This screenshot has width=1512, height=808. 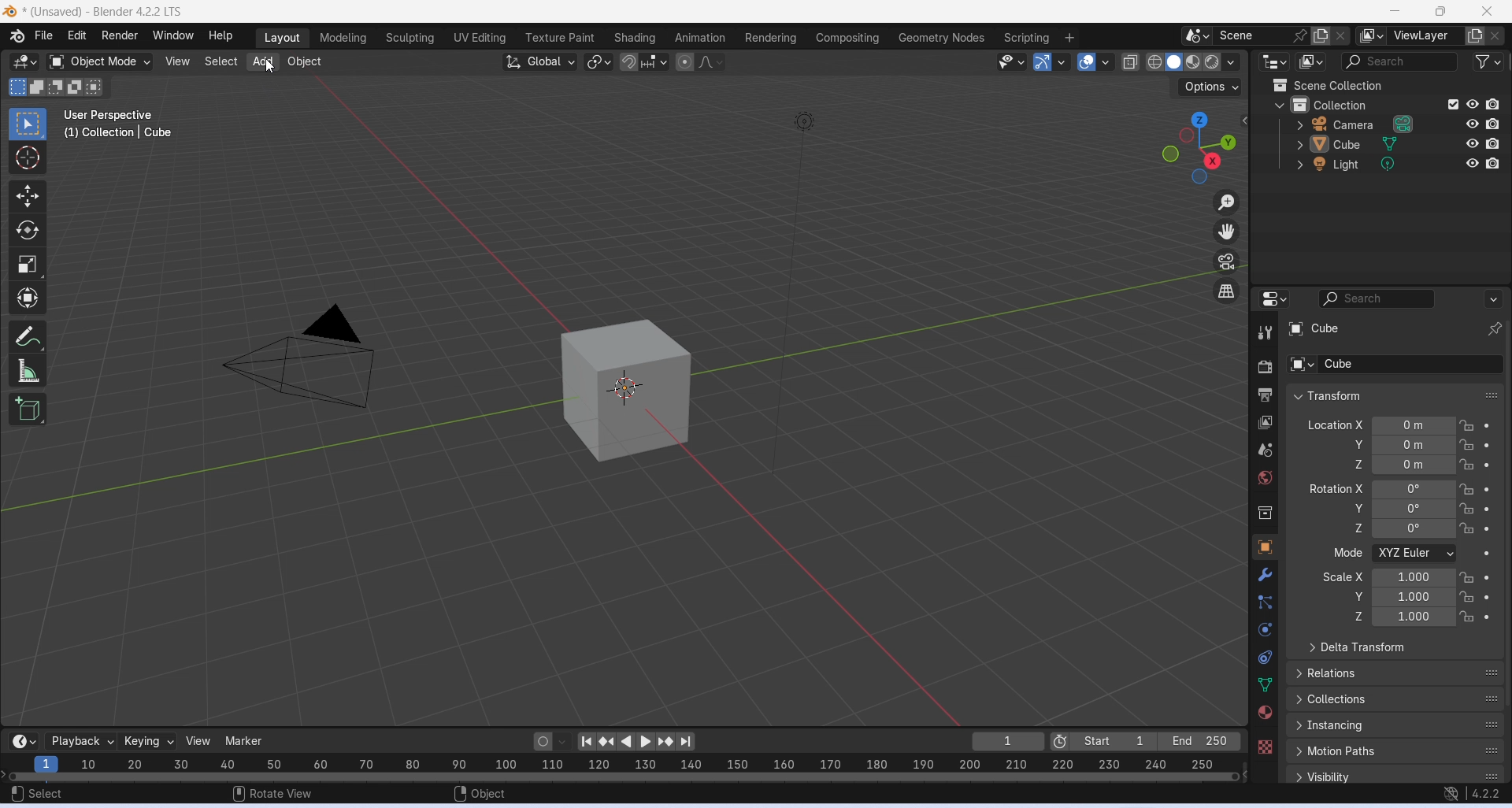 I want to click on mode, so click(x=1346, y=554).